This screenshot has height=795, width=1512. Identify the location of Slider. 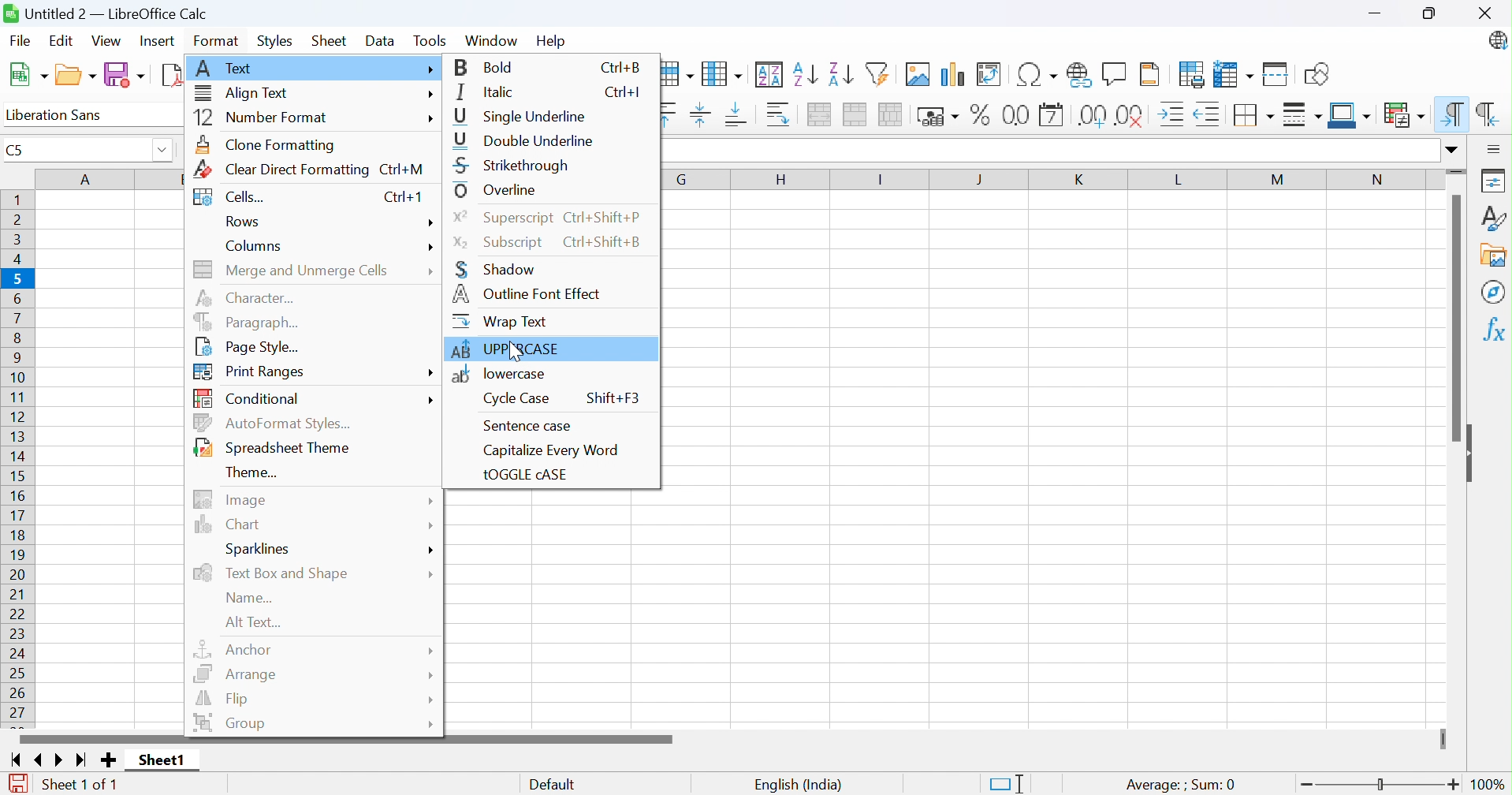
(1455, 173).